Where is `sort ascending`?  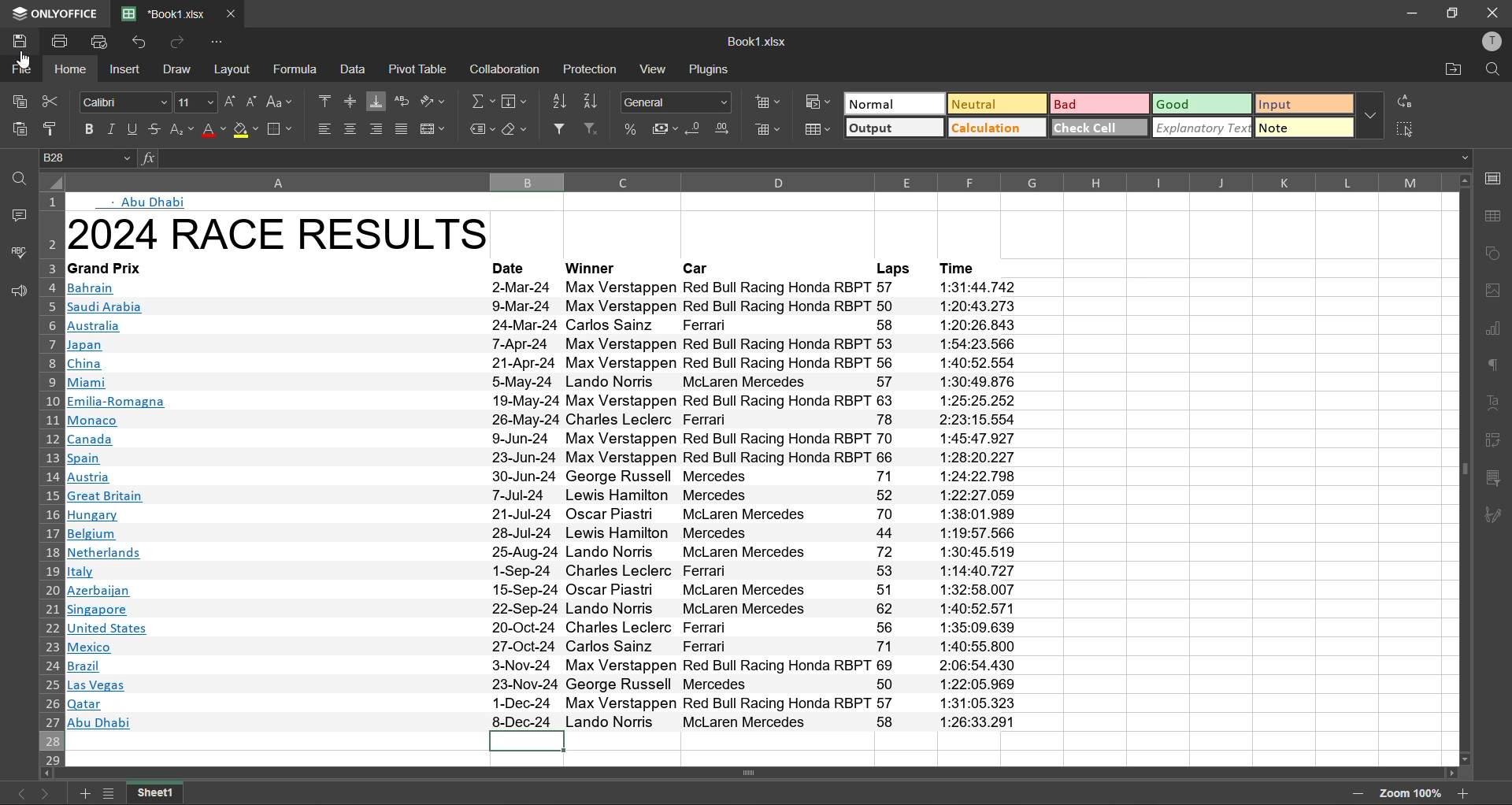 sort ascending is located at coordinates (562, 99).